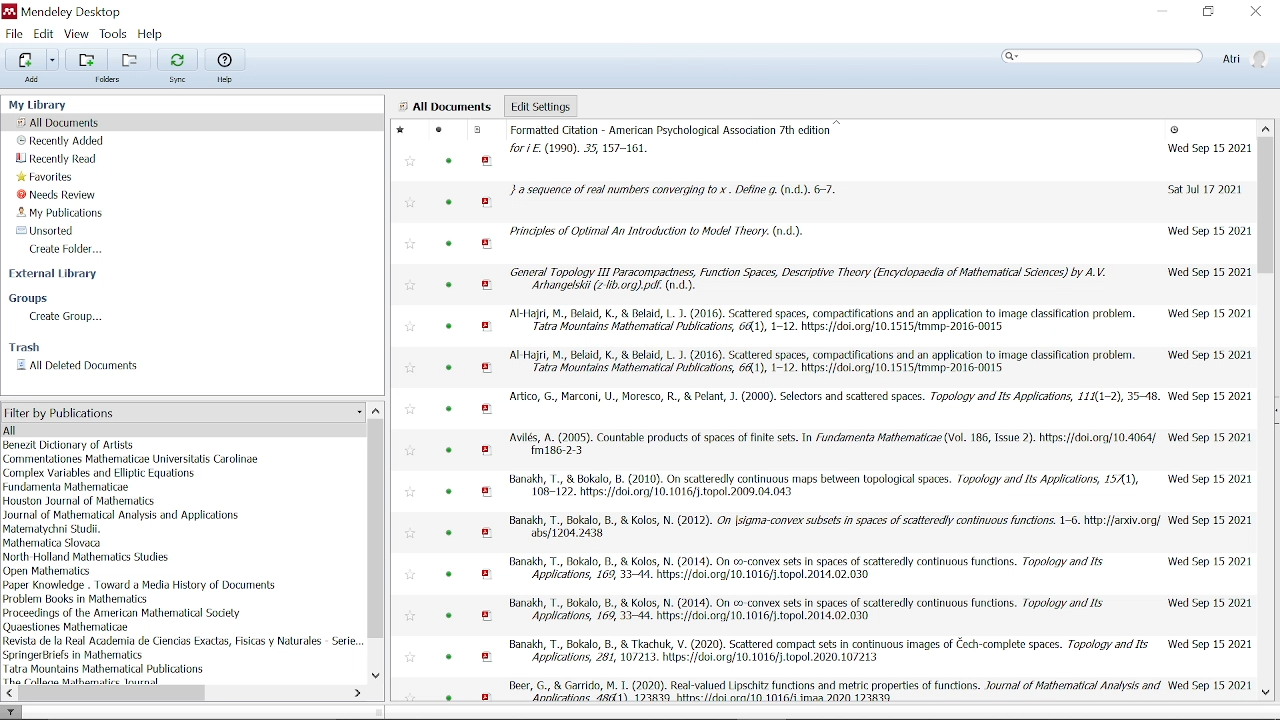  I want to click on Add files, so click(25, 59).